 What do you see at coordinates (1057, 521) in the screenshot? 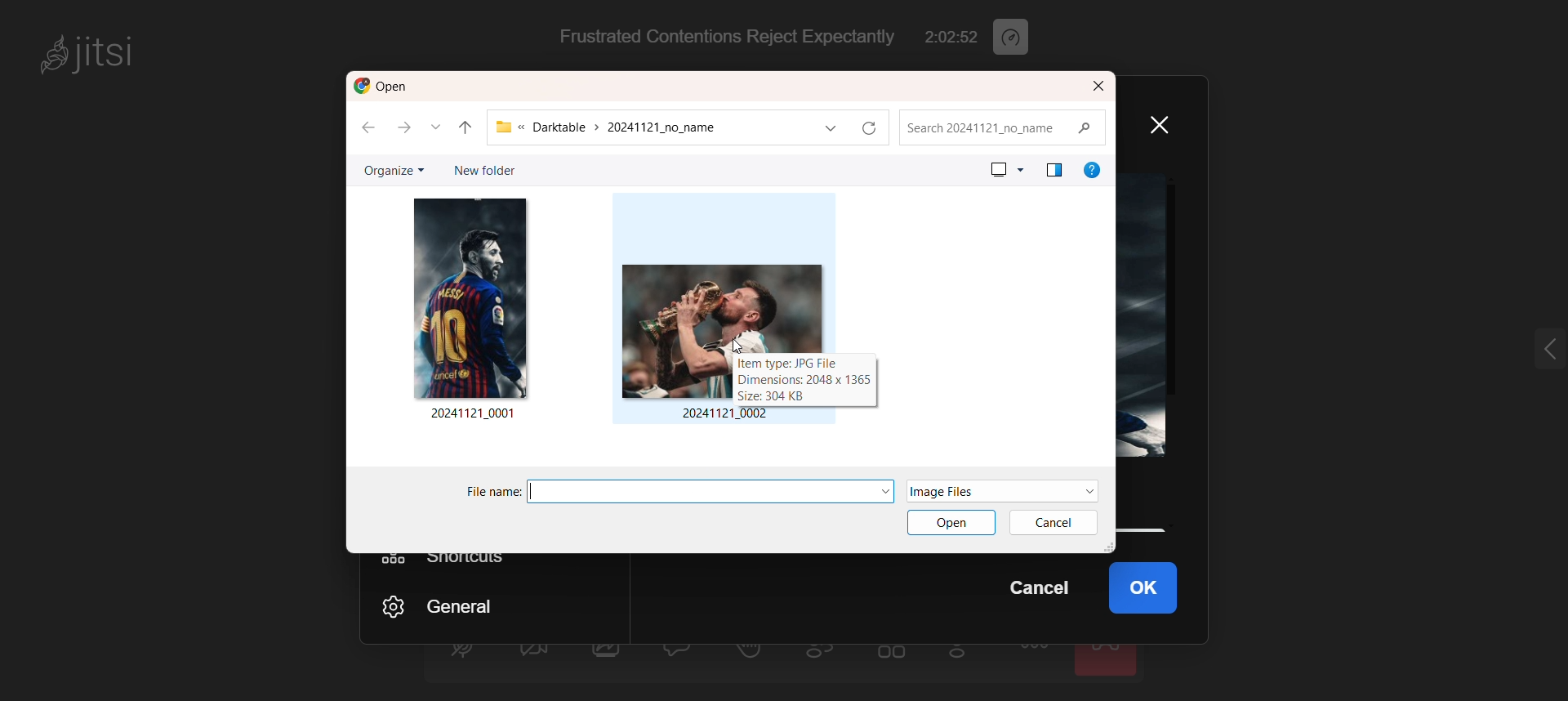
I see `cancel` at bounding box center [1057, 521].